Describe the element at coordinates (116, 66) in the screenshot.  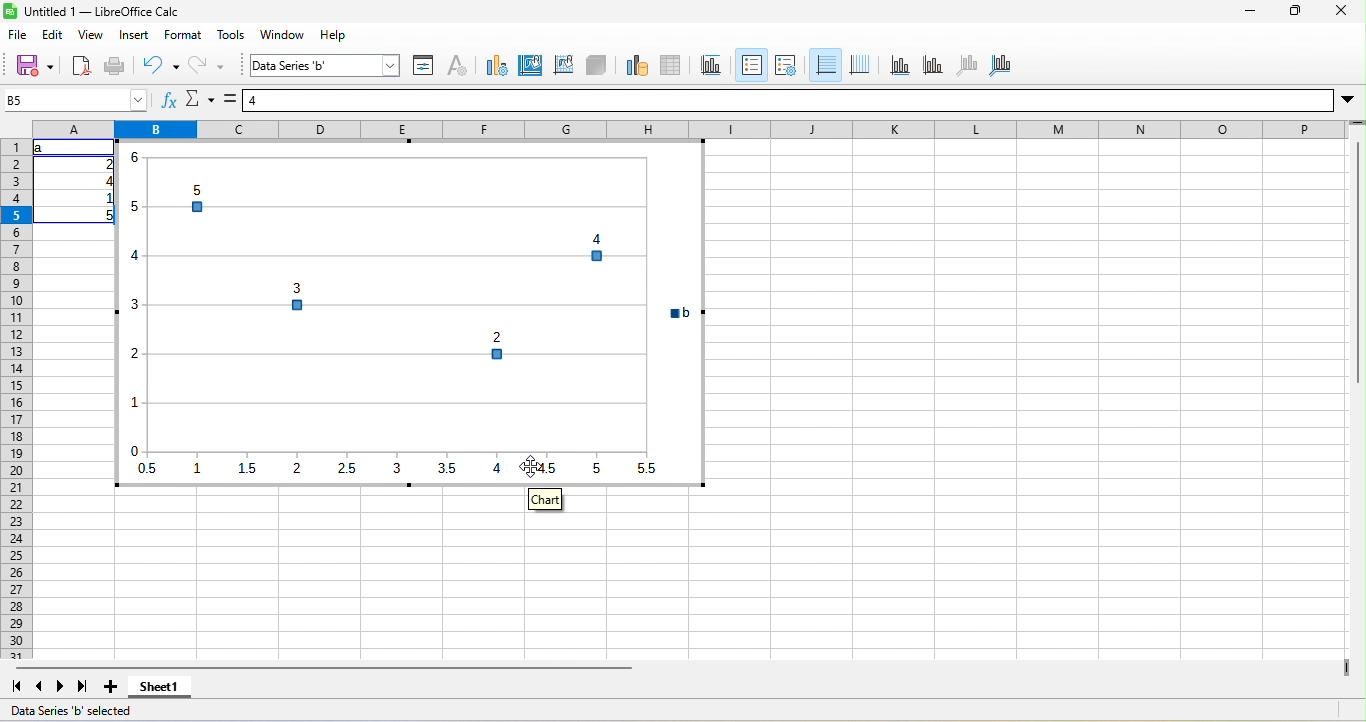
I see `print` at that location.